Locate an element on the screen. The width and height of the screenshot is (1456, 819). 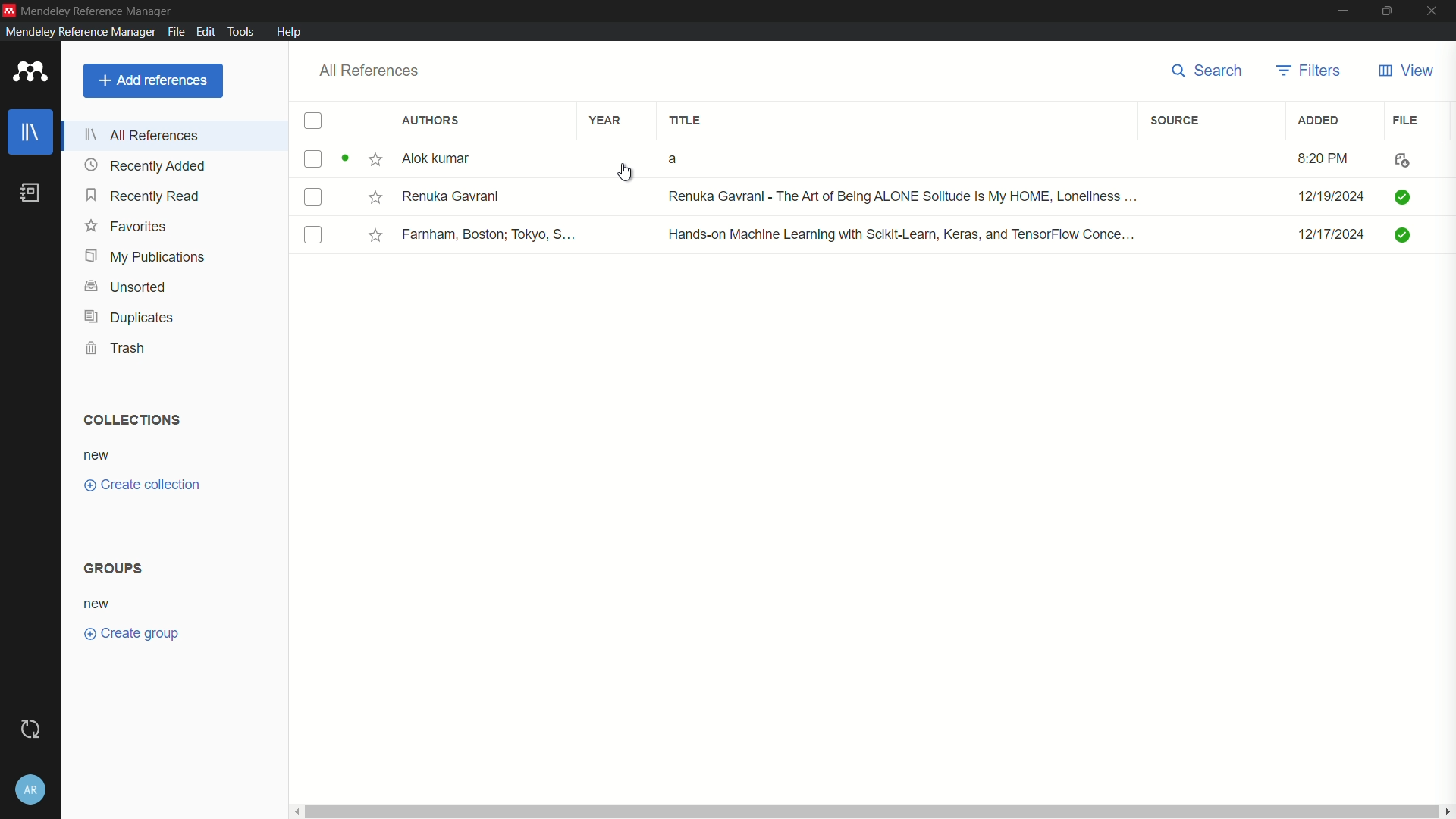
added is located at coordinates (1319, 121).